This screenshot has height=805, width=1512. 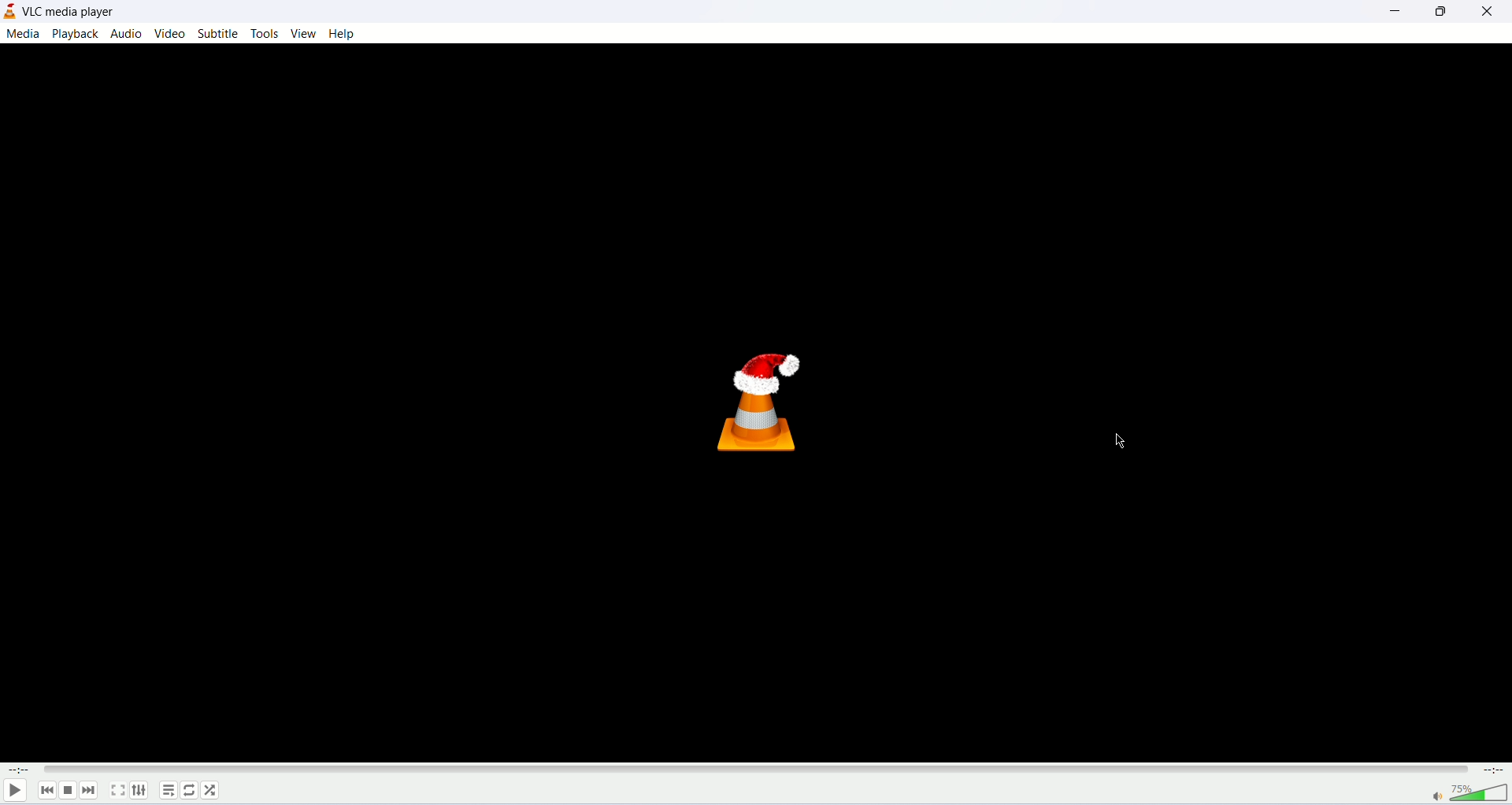 What do you see at coordinates (20, 770) in the screenshot?
I see `played time` at bounding box center [20, 770].